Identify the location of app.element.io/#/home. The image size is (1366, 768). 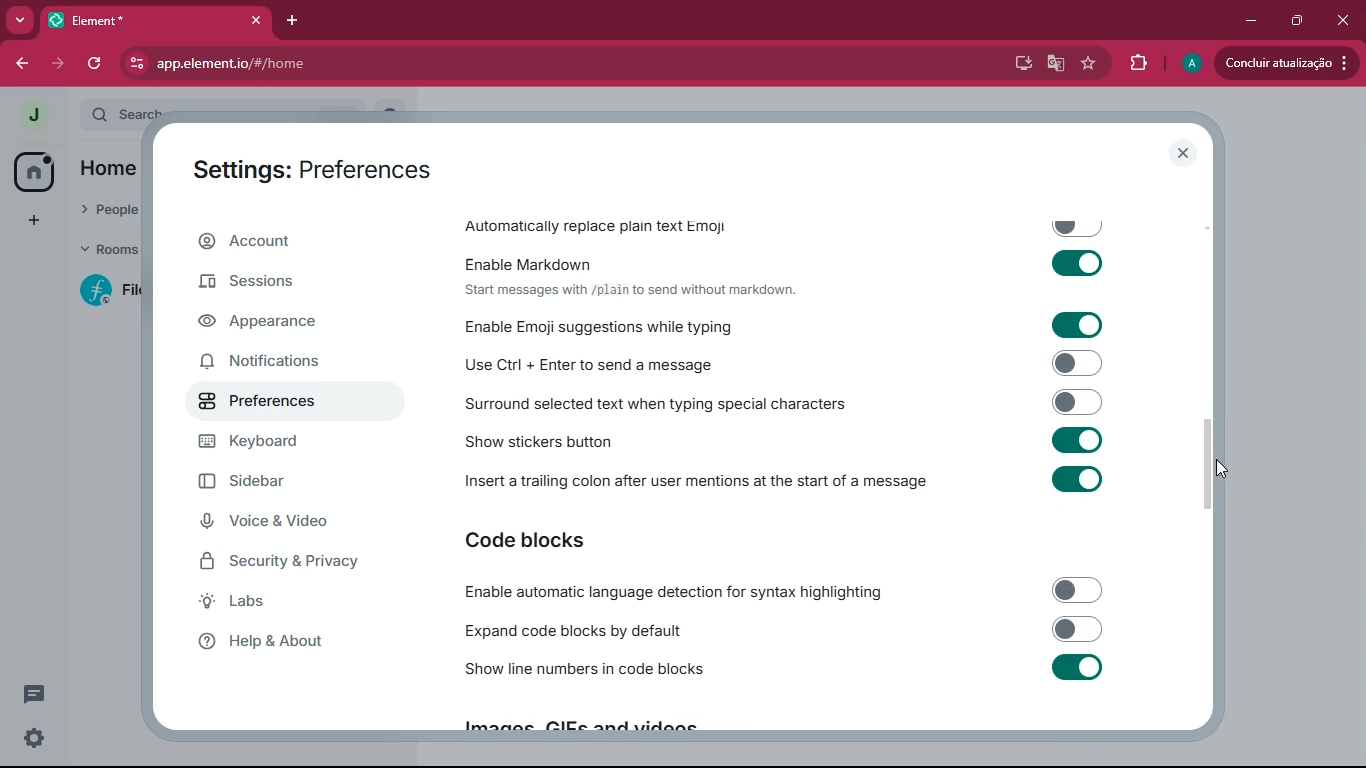
(318, 63).